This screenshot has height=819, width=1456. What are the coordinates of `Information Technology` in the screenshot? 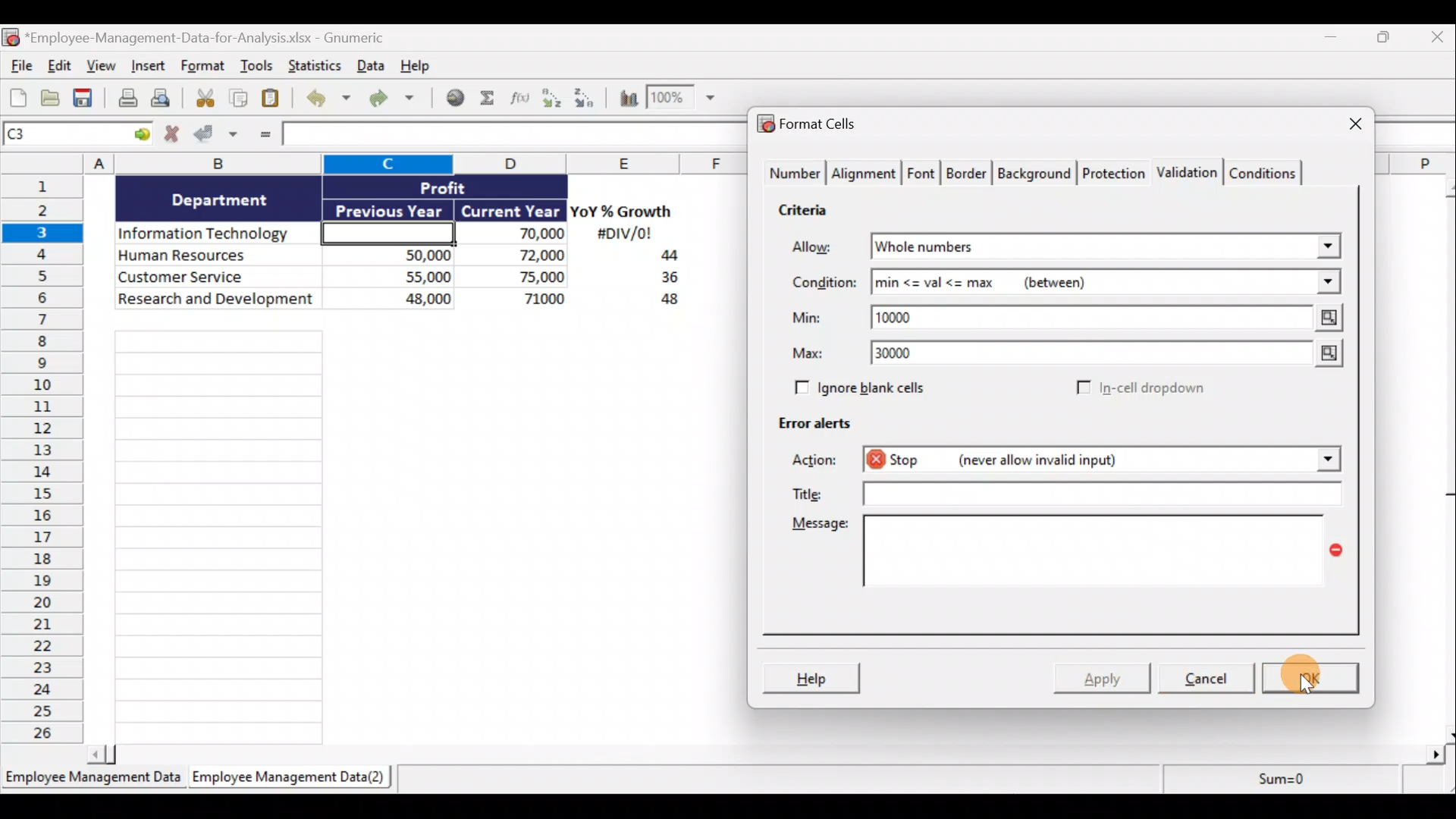 It's located at (218, 234).